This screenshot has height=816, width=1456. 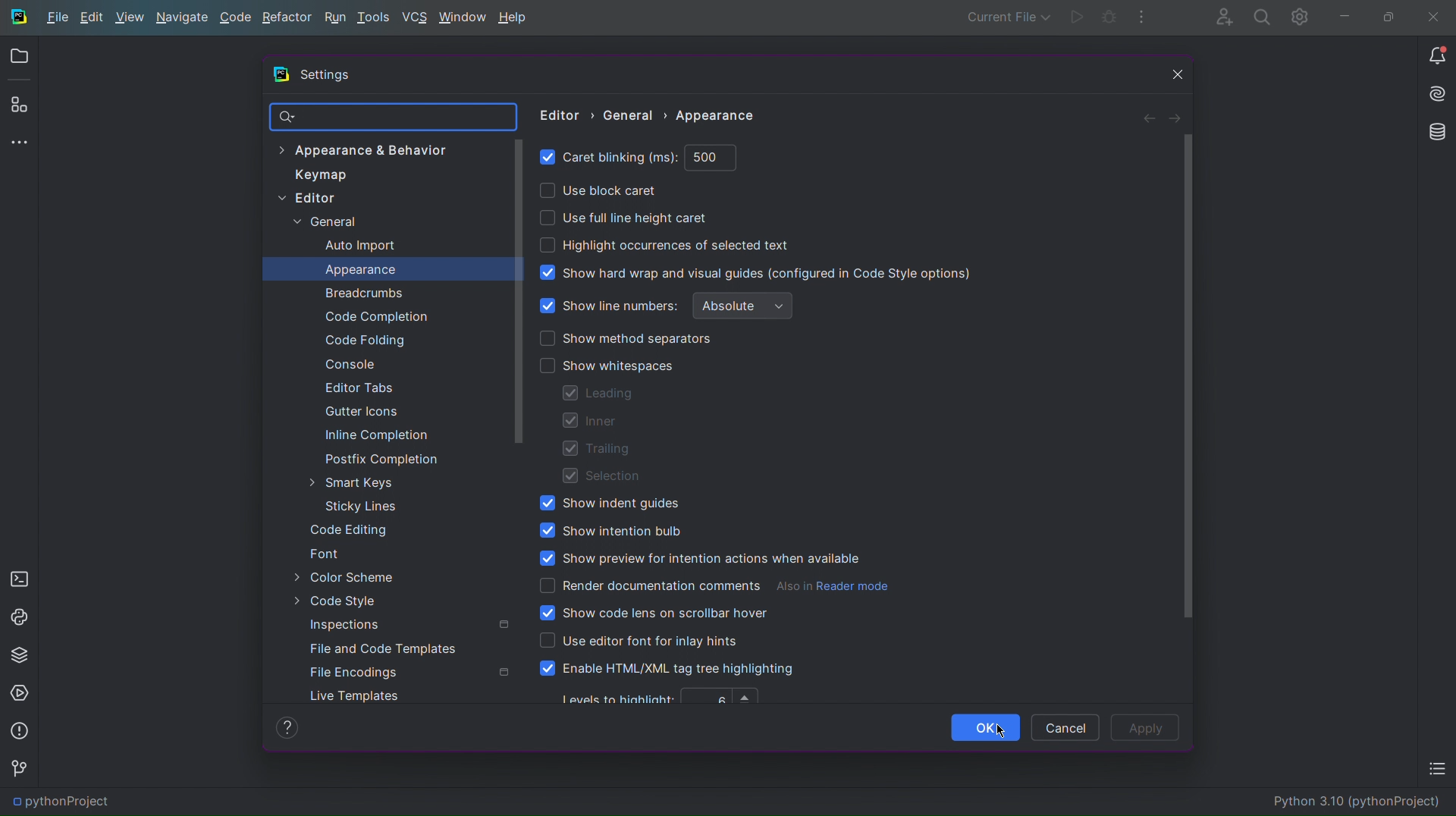 What do you see at coordinates (356, 507) in the screenshot?
I see `Sticky Lines` at bounding box center [356, 507].